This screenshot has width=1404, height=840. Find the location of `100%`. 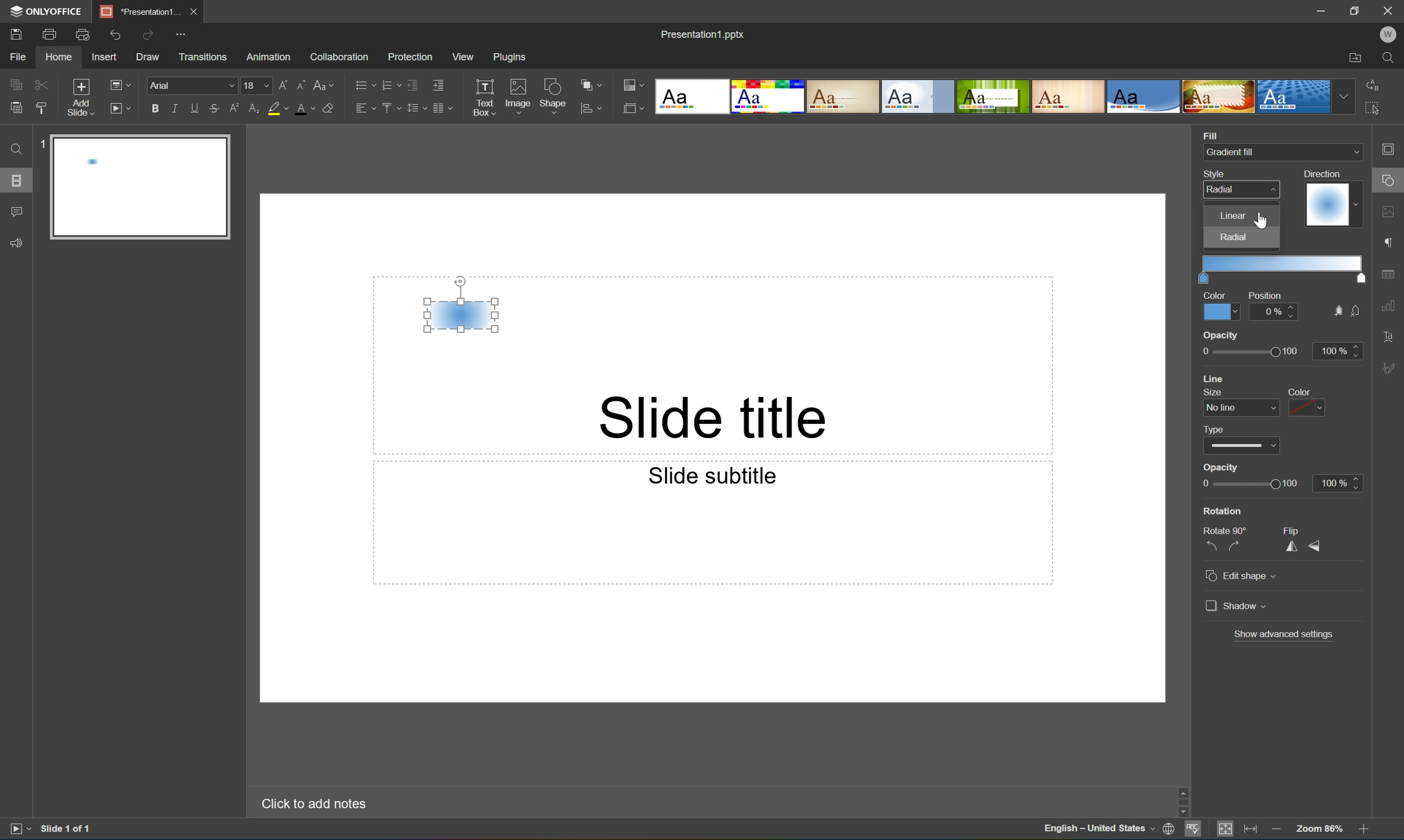

100% is located at coordinates (1338, 482).